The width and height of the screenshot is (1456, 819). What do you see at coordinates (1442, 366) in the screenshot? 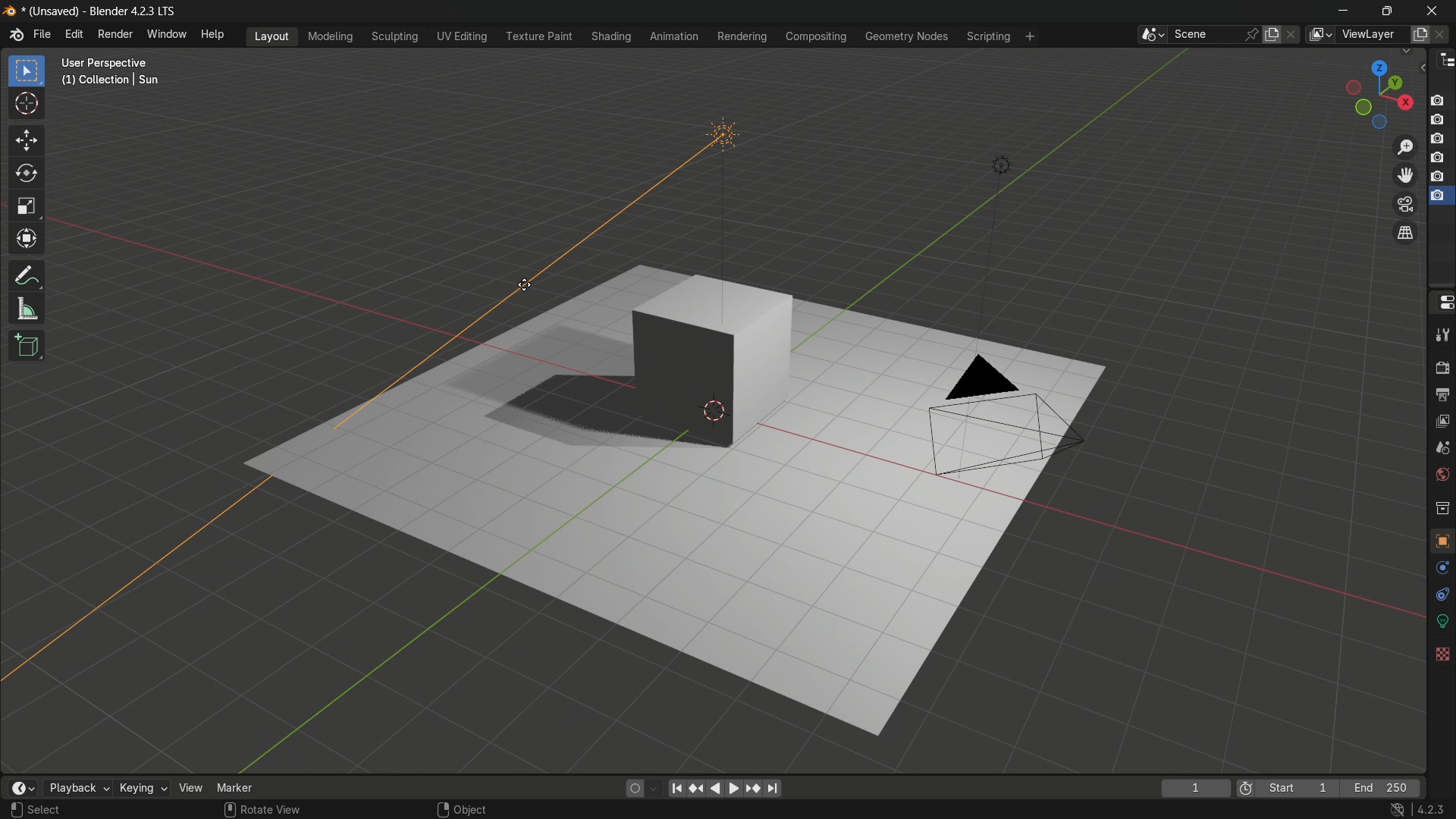
I see `render` at bounding box center [1442, 366].